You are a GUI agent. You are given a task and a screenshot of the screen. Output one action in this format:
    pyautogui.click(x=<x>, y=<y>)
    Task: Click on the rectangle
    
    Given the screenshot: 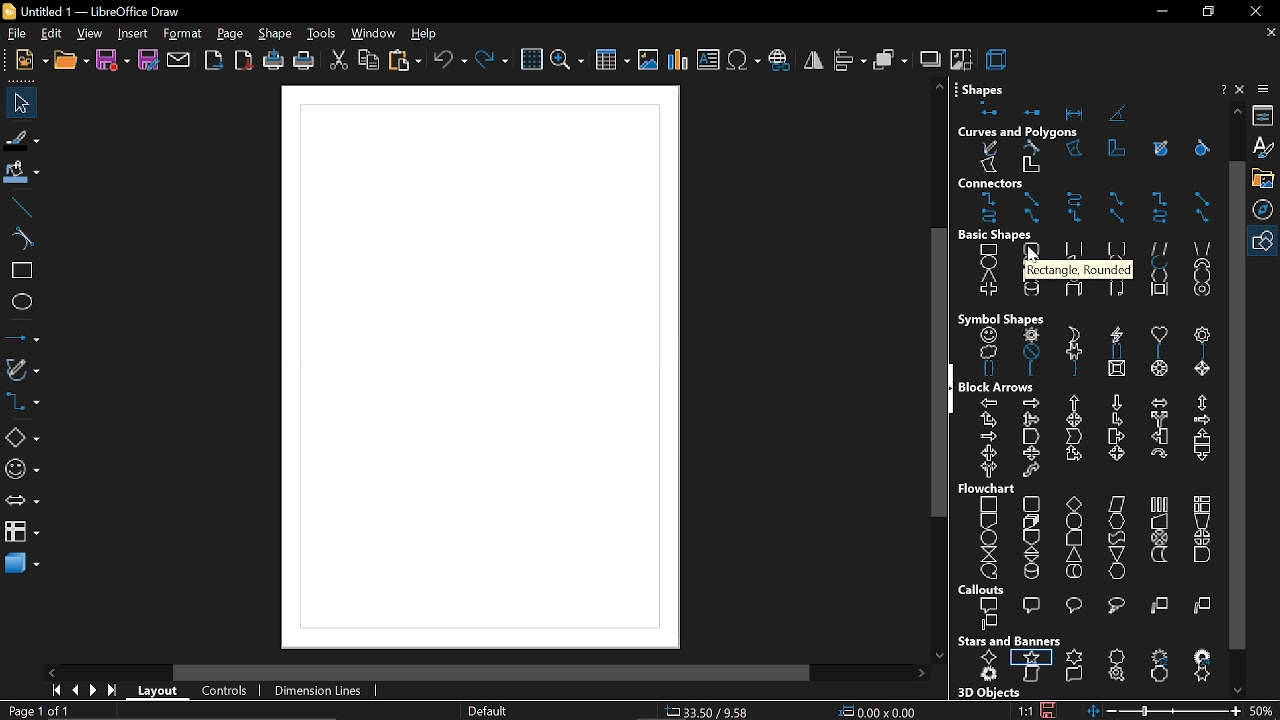 What is the action you would take?
    pyautogui.click(x=22, y=272)
    